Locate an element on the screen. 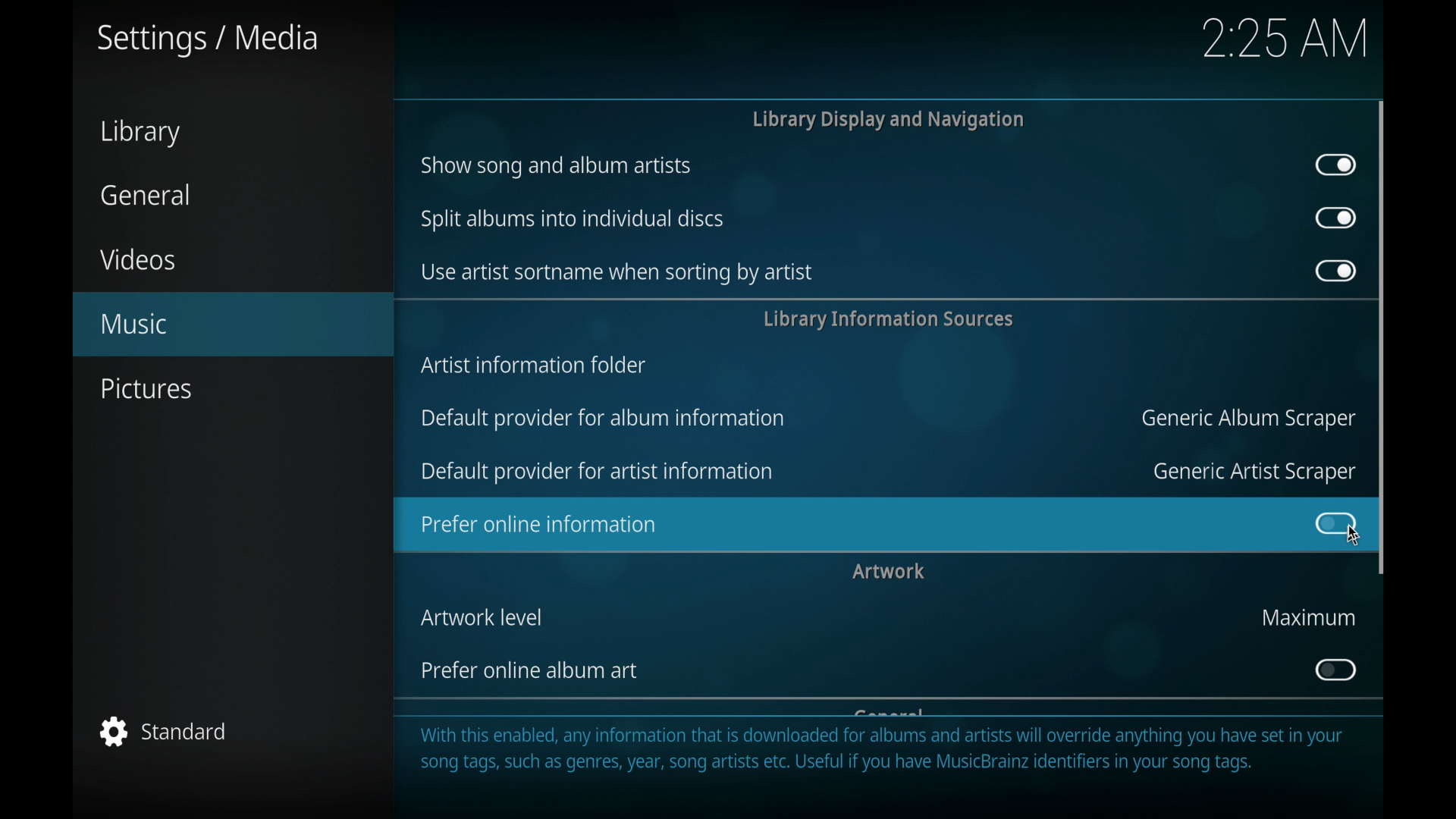 This screenshot has width=1456, height=819. settings/media is located at coordinates (209, 40).